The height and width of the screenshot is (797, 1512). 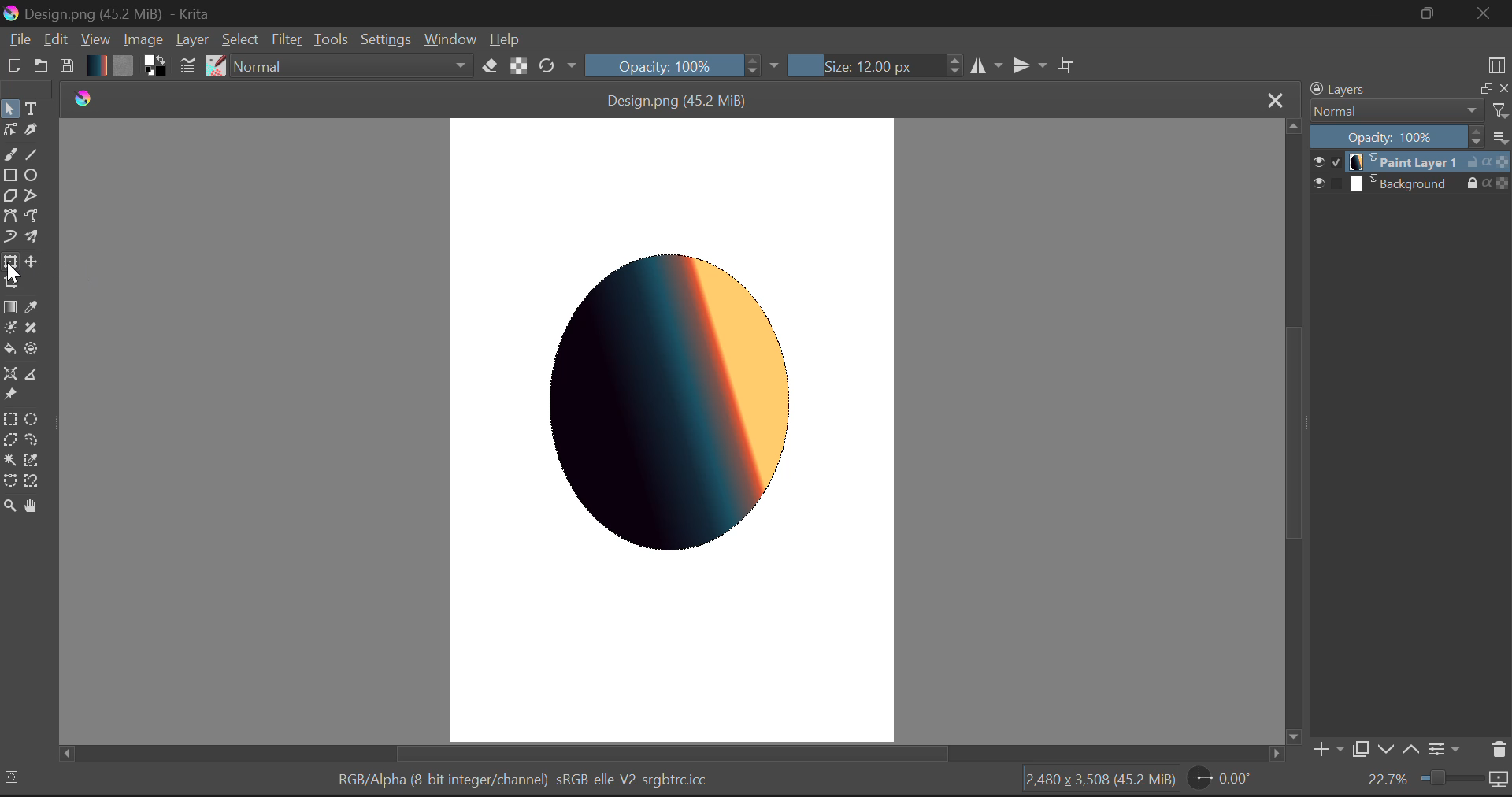 What do you see at coordinates (11, 176) in the screenshot?
I see `Rectangle` at bounding box center [11, 176].